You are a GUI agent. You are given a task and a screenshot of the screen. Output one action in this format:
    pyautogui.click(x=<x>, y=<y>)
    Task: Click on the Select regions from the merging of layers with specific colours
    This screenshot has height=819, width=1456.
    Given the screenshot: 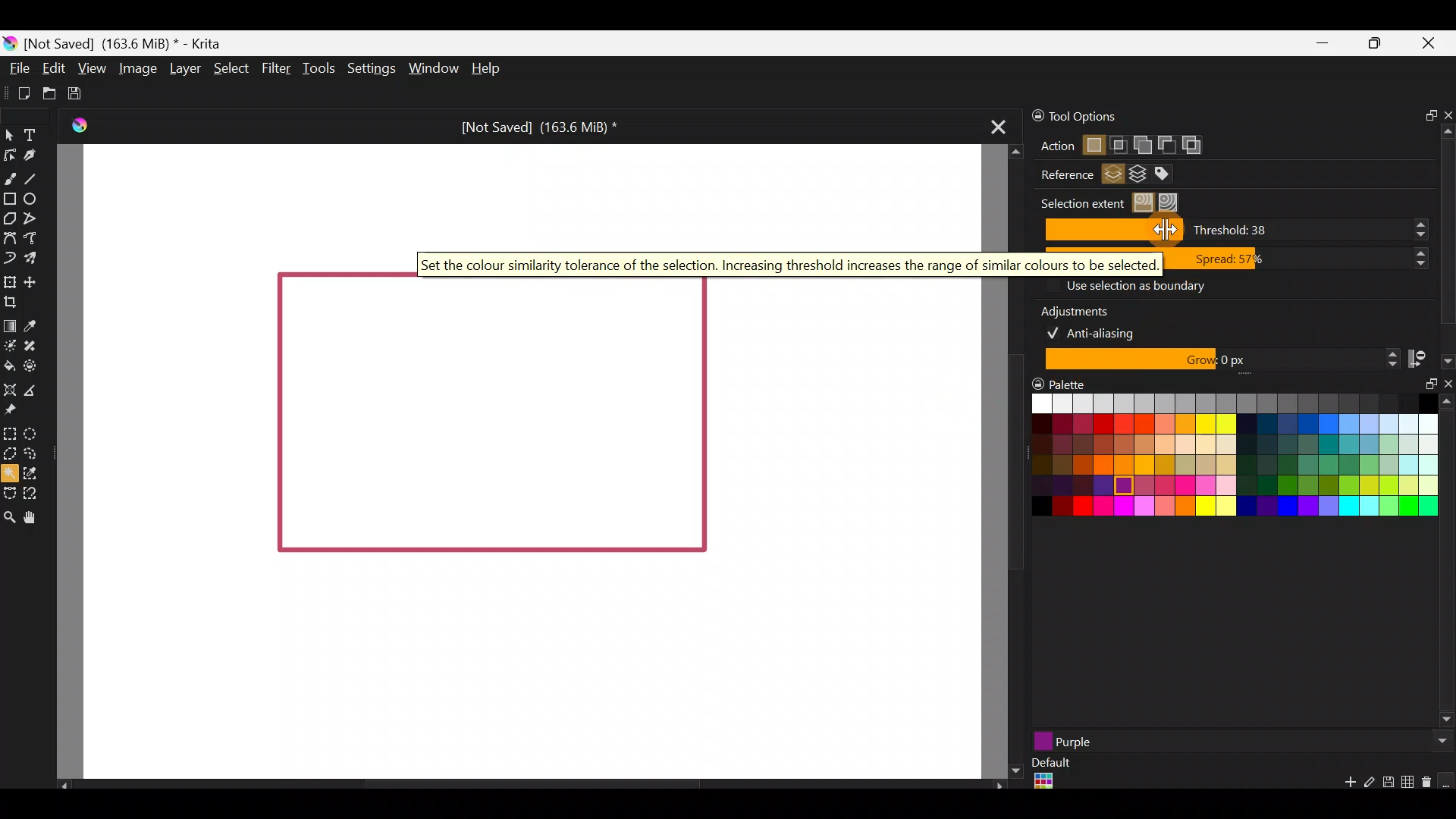 What is the action you would take?
    pyautogui.click(x=1170, y=174)
    